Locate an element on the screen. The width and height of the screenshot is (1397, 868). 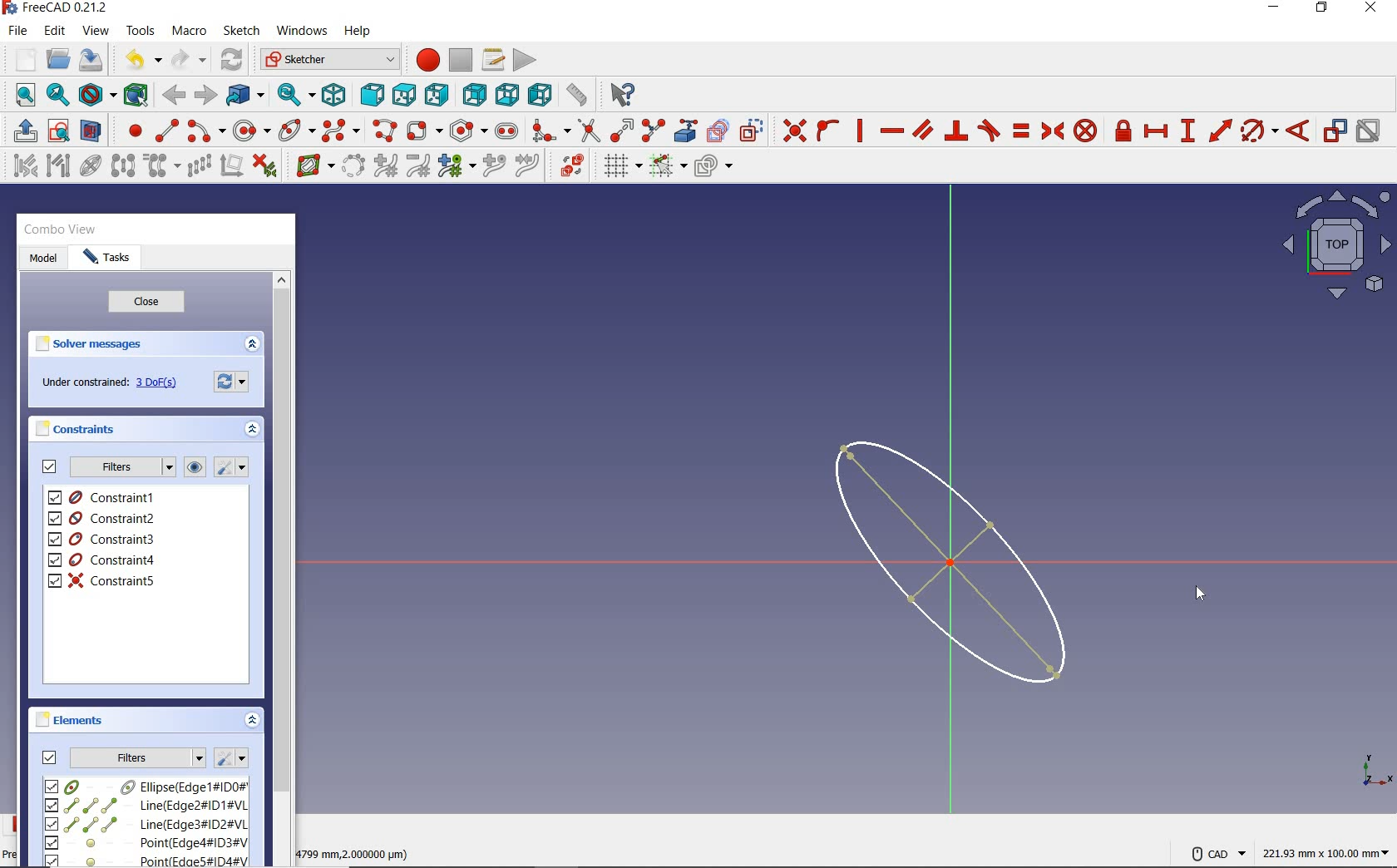
create fillet is located at coordinates (550, 128).